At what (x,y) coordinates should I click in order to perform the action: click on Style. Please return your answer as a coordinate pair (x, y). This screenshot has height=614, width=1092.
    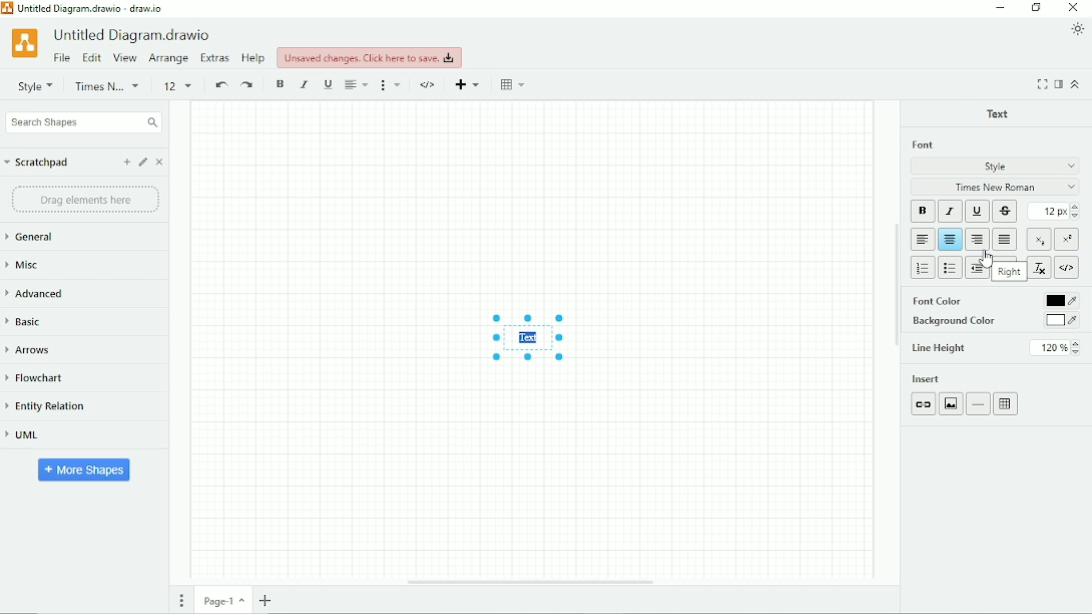
    Looking at the image, I should click on (35, 86).